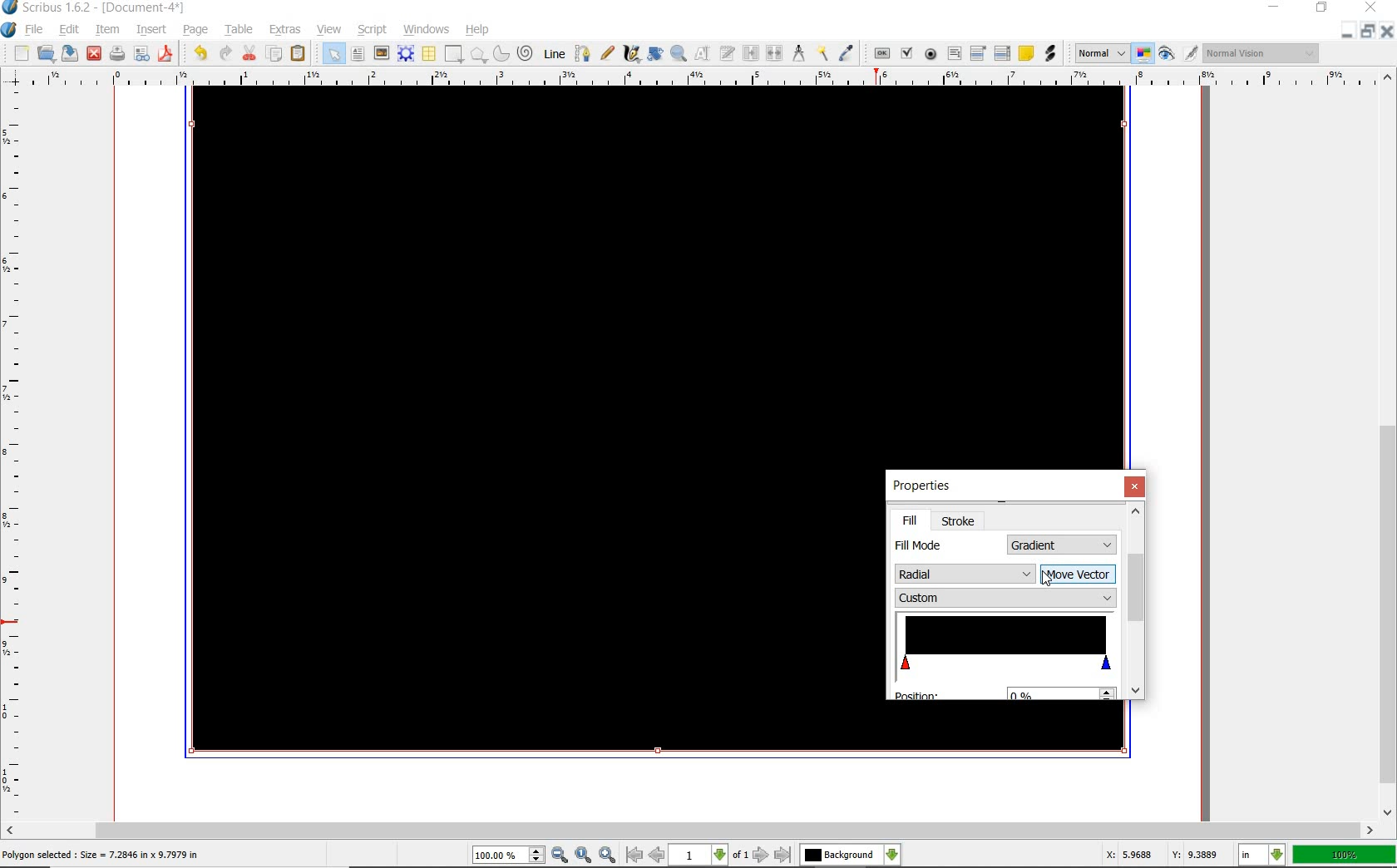  Describe the element at coordinates (1135, 487) in the screenshot. I see `close` at that location.